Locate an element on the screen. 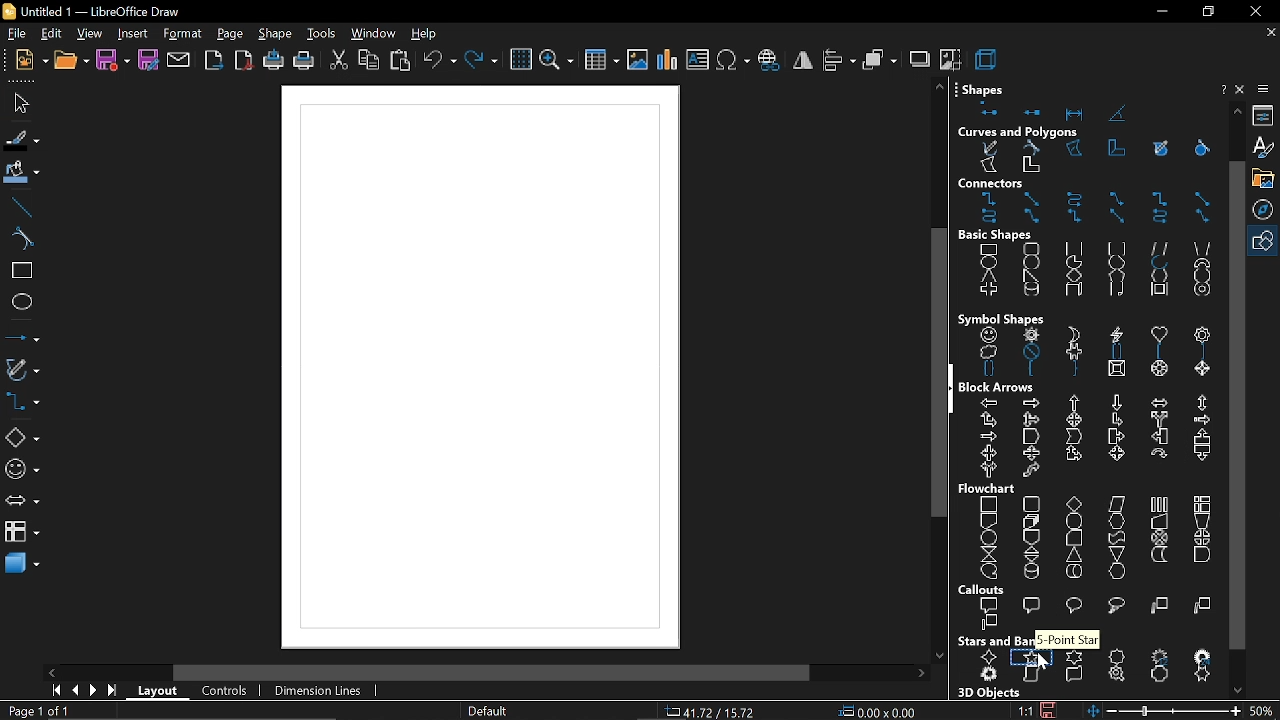 The width and height of the screenshot is (1280, 720). export as is located at coordinates (242, 61).